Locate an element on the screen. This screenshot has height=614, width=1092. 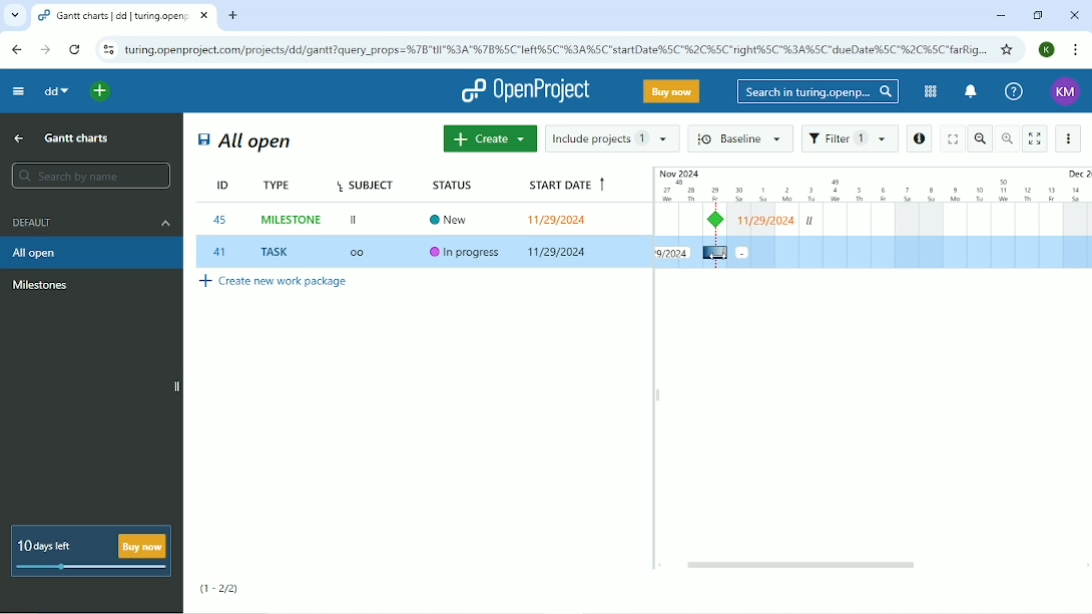
Buy now is located at coordinates (672, 91).